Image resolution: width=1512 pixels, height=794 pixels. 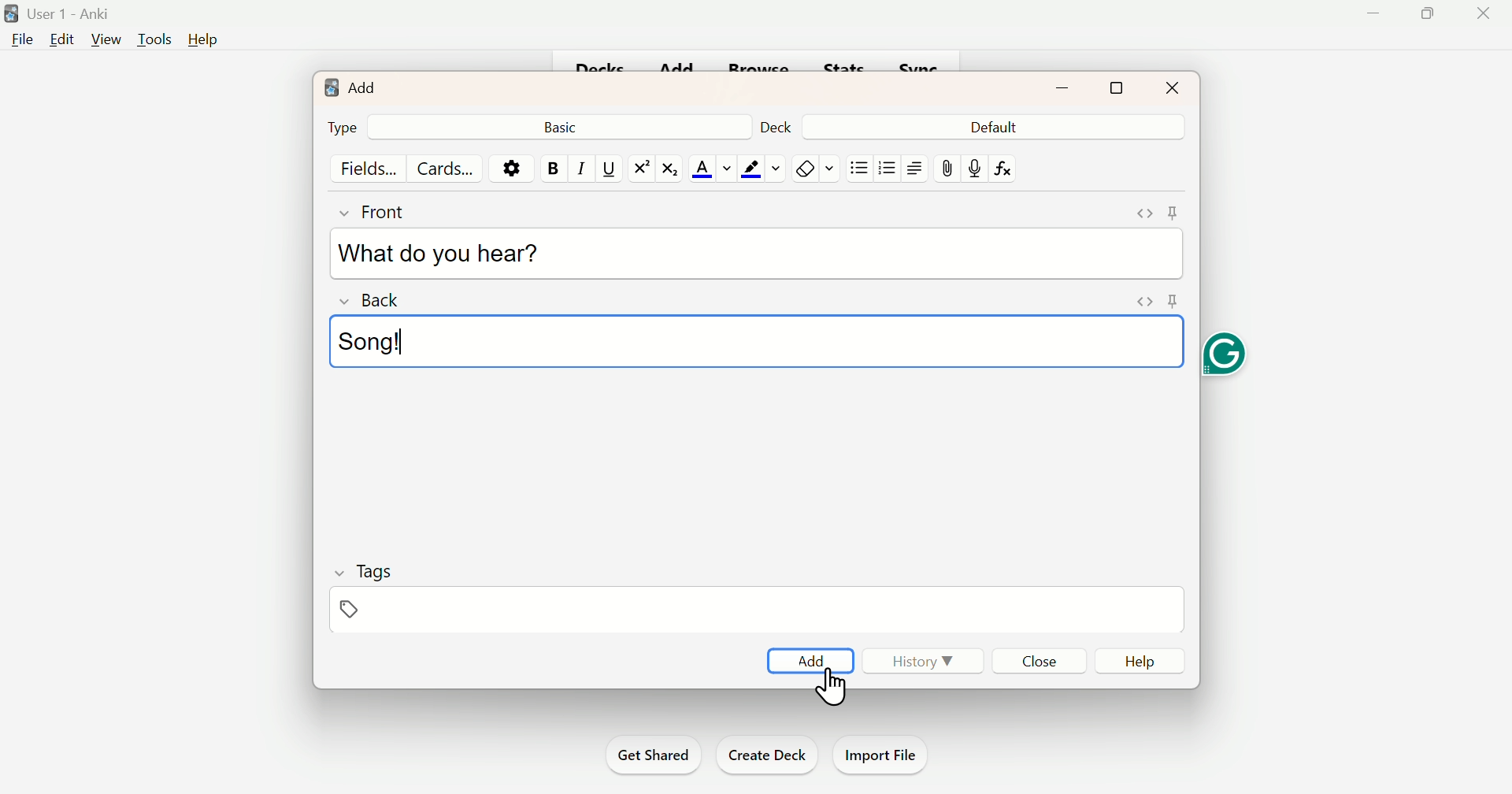 What do you see at coordinates (153, 40) in the screenshot?
I see `Tools` at bounding box center [153, 40].